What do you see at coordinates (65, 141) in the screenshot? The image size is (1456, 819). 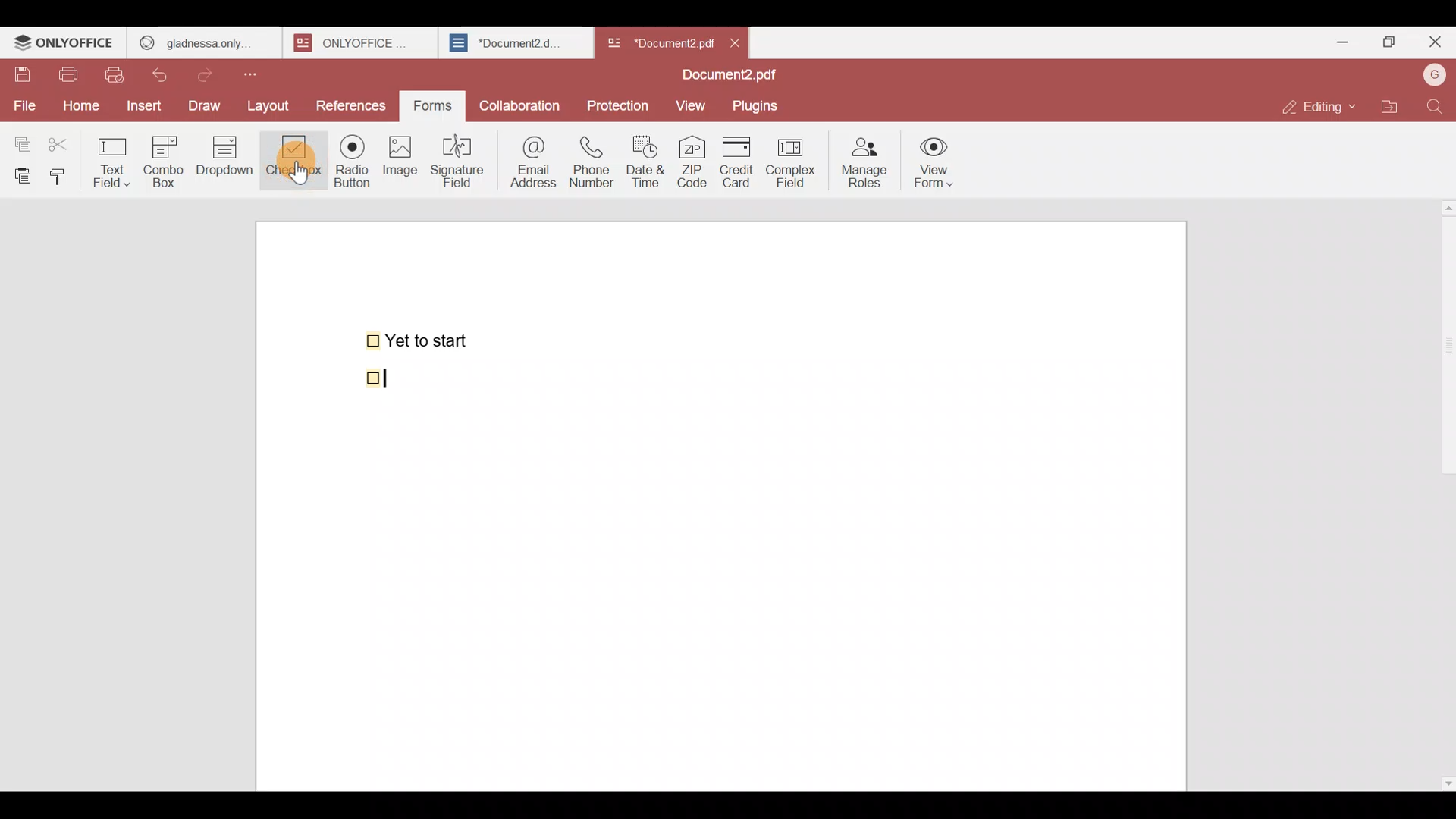 I see `Cut` at bounding box center [65, 141].